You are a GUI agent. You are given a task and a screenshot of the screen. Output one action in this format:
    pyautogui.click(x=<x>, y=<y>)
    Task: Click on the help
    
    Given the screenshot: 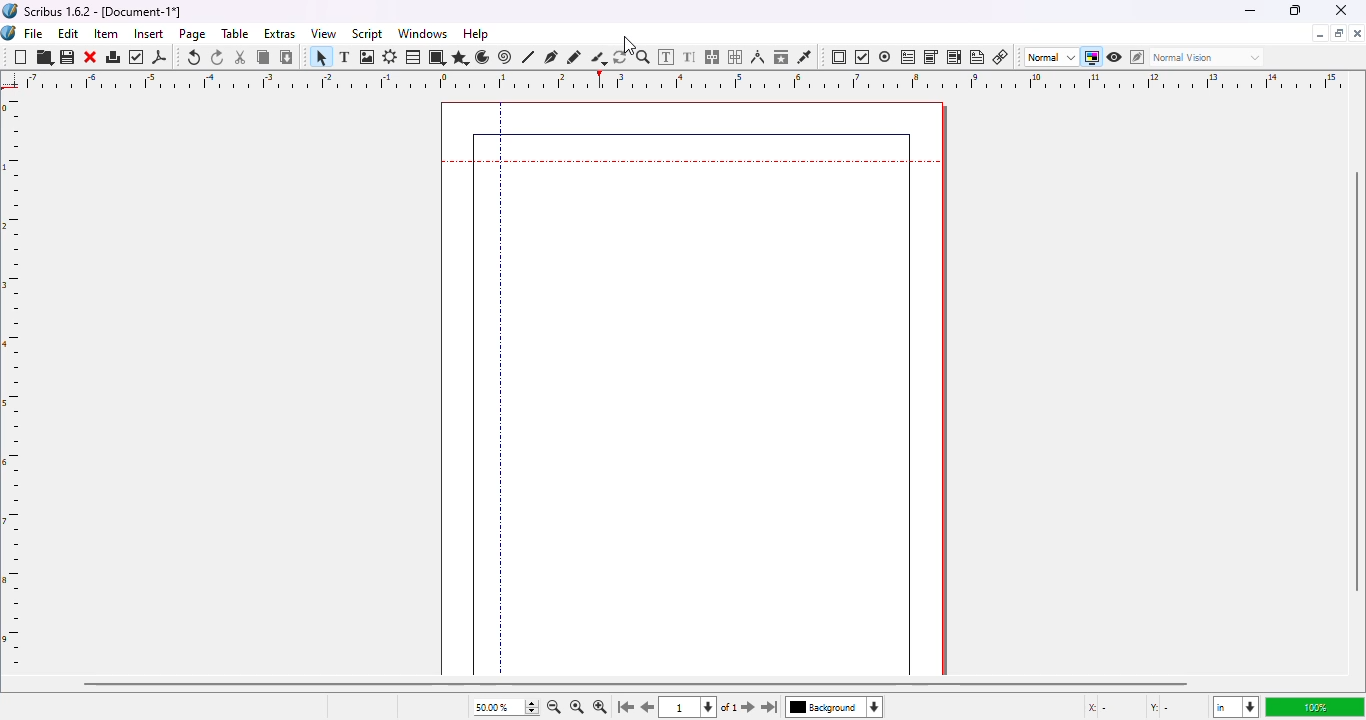 What is the action you would take?
    pyautogui.click(x=476, y=34)
    